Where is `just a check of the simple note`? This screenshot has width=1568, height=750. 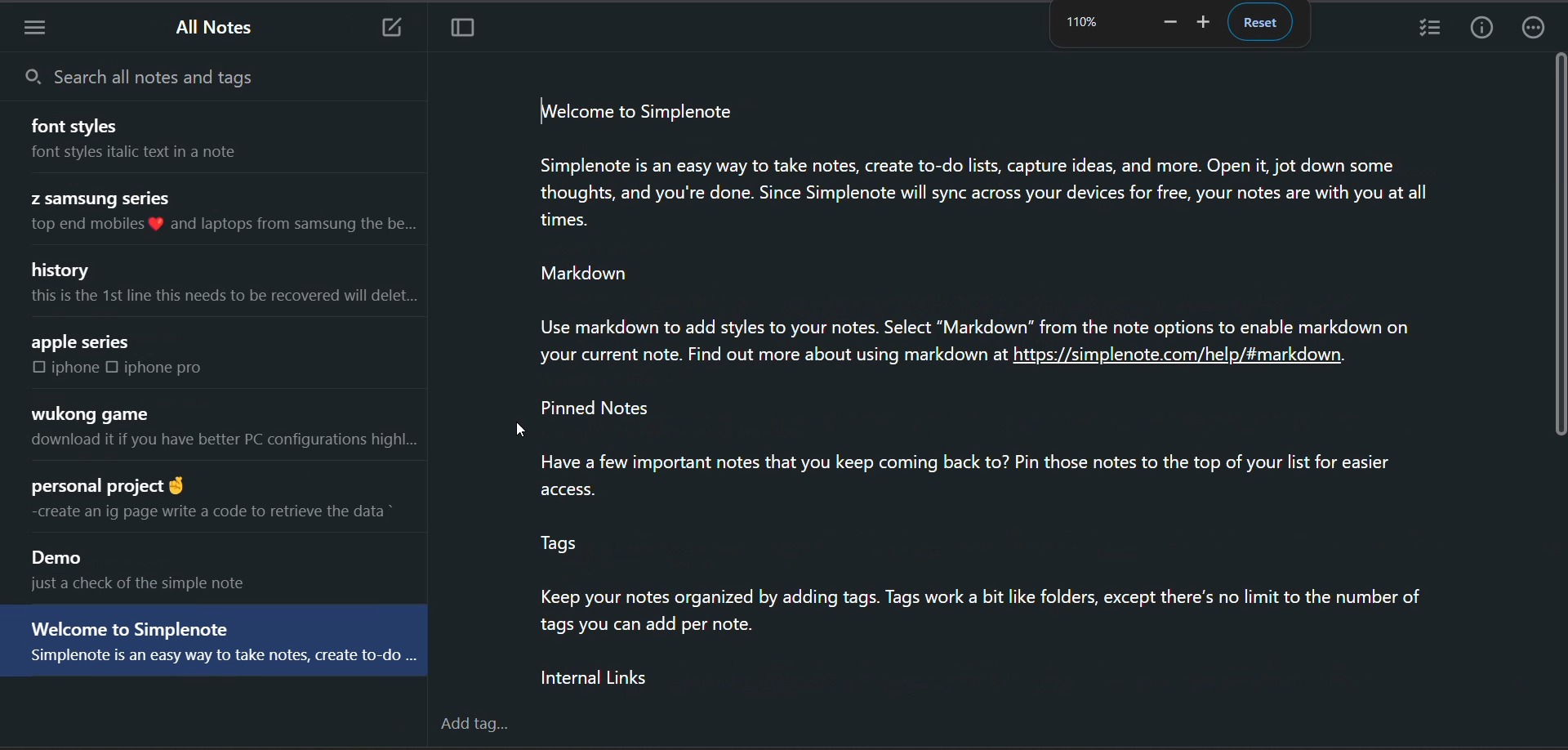 just a check of the simple note is located at coordinates (159, 587).